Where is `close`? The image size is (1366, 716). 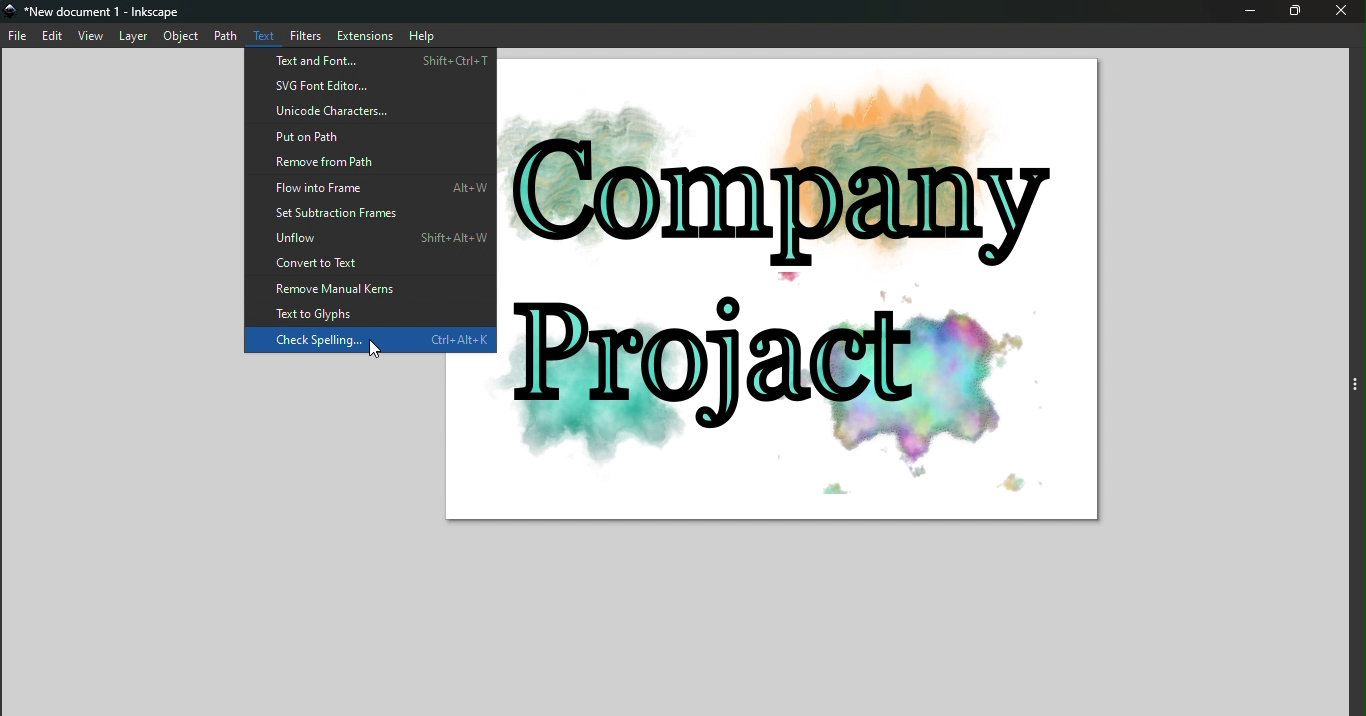 close is located at coordinates (1346, 11).